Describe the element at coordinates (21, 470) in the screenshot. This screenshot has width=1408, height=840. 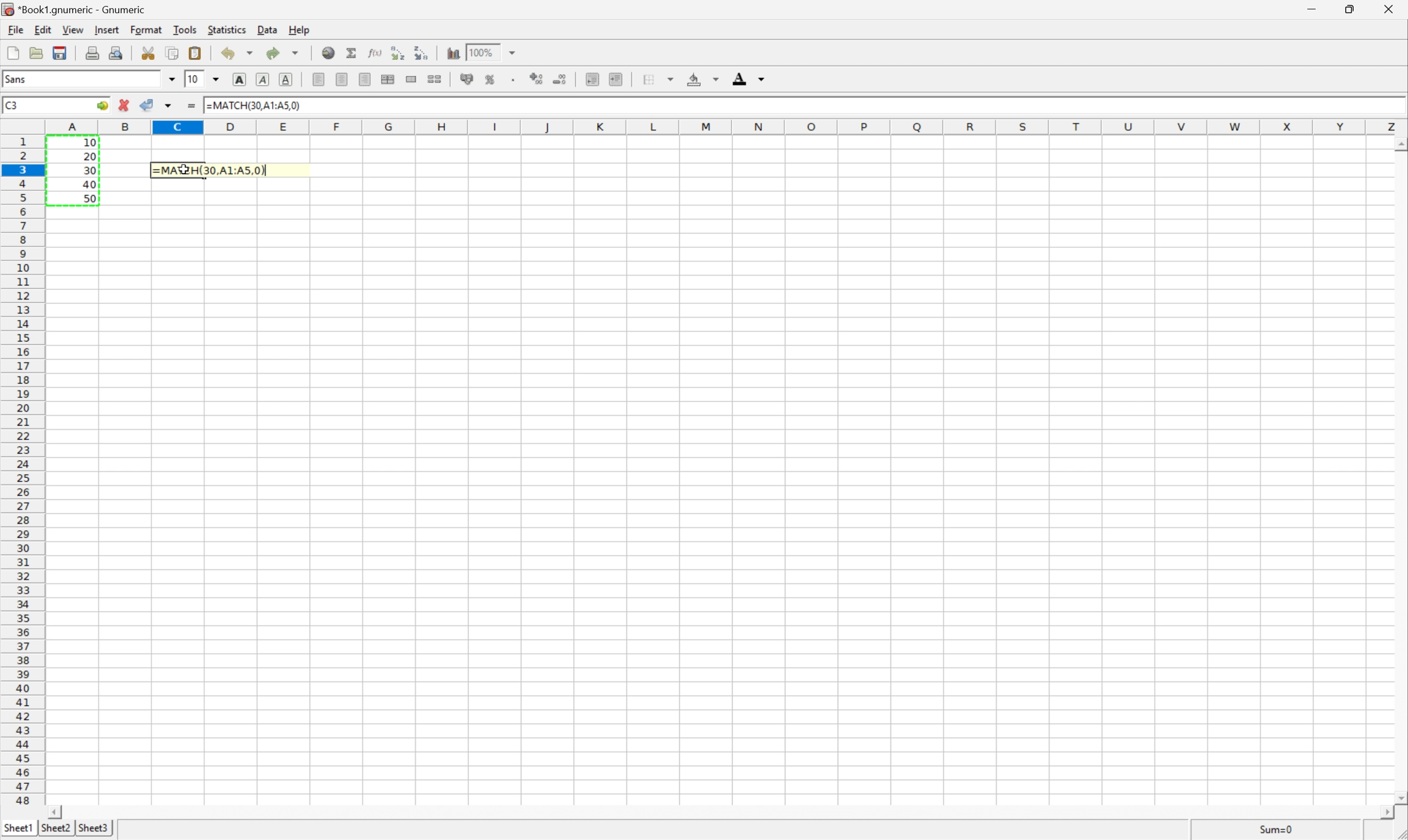
I see `Row numbers` at that location.